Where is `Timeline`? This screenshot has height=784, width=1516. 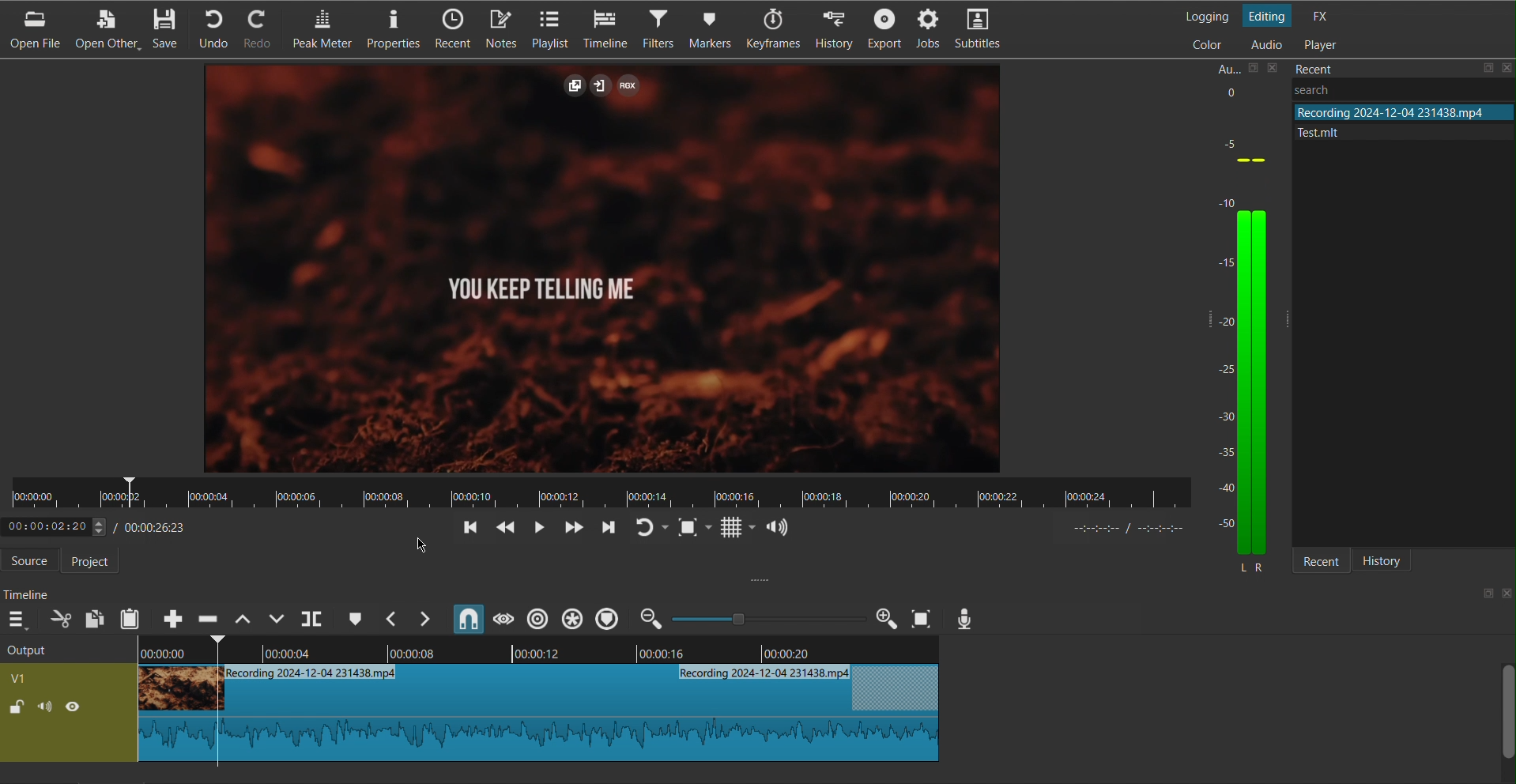 Timeline is located at coordinates (601, 493).